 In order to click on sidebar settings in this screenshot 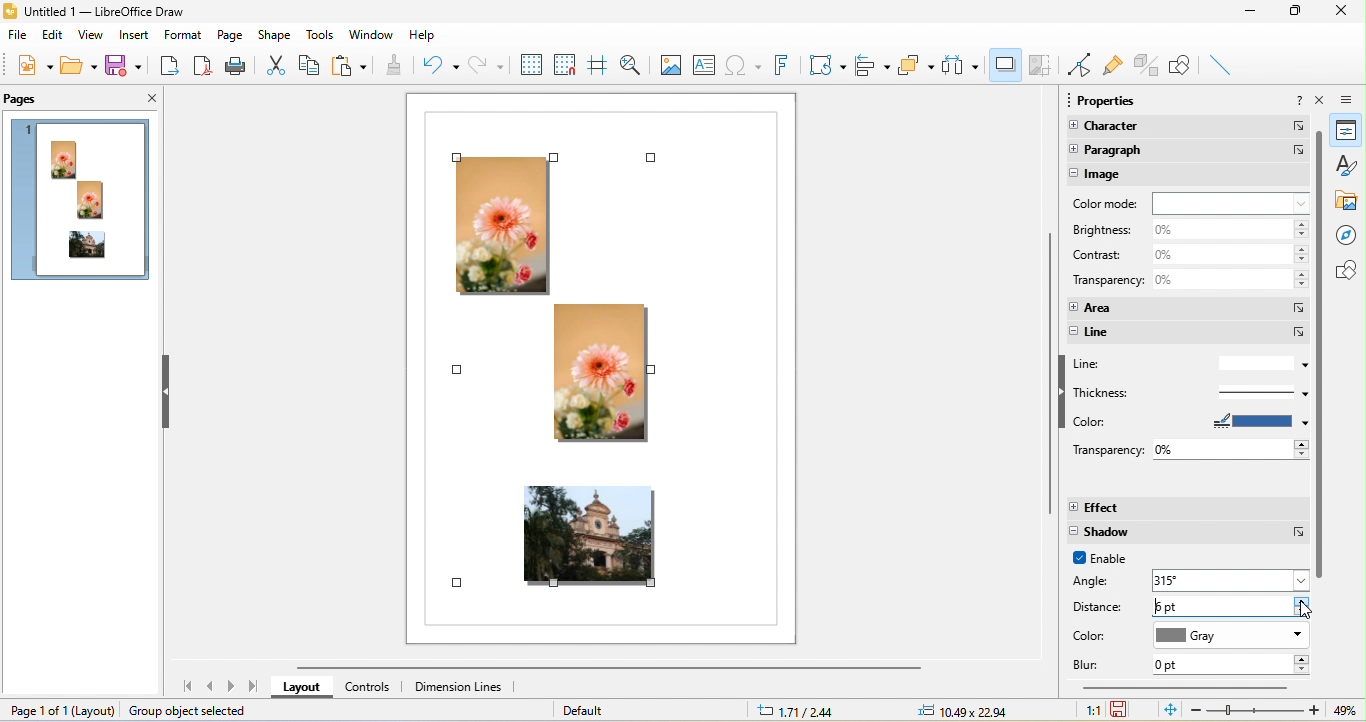, I will do `click(1352, 100)`.